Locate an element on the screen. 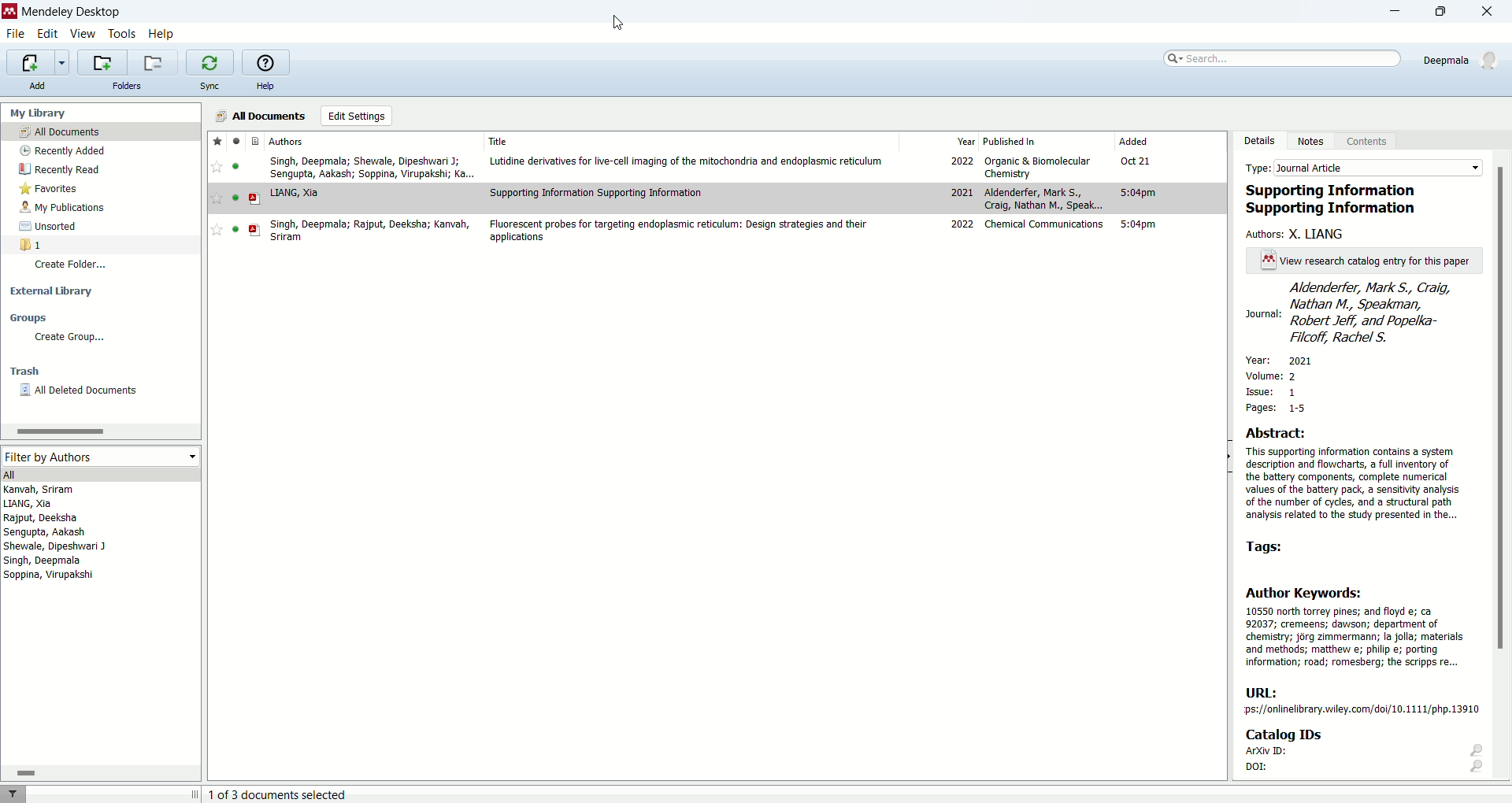  published in is located at coordinates (1011, 141).